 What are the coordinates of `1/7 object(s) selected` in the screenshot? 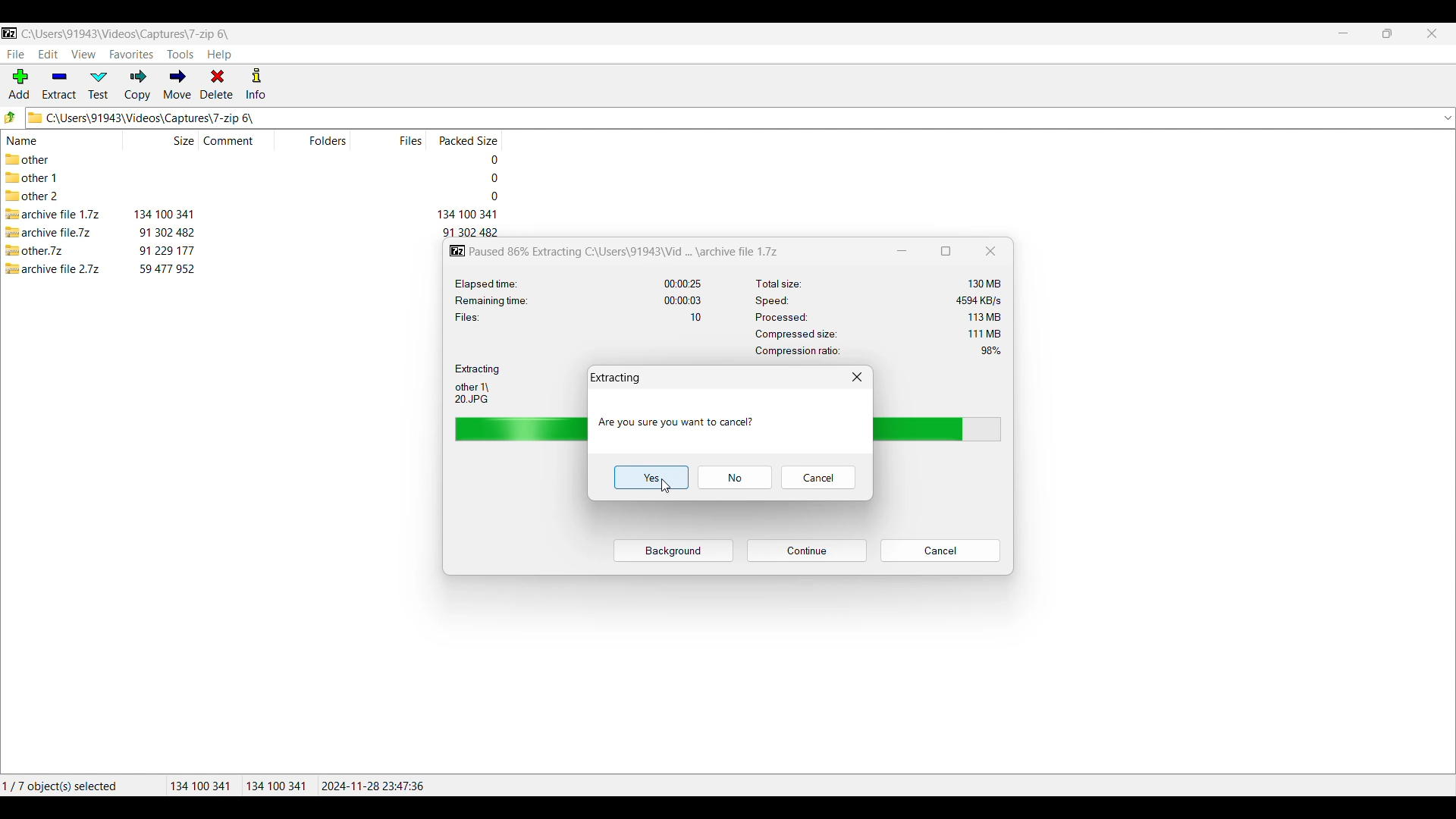 It's located at (71, 783).